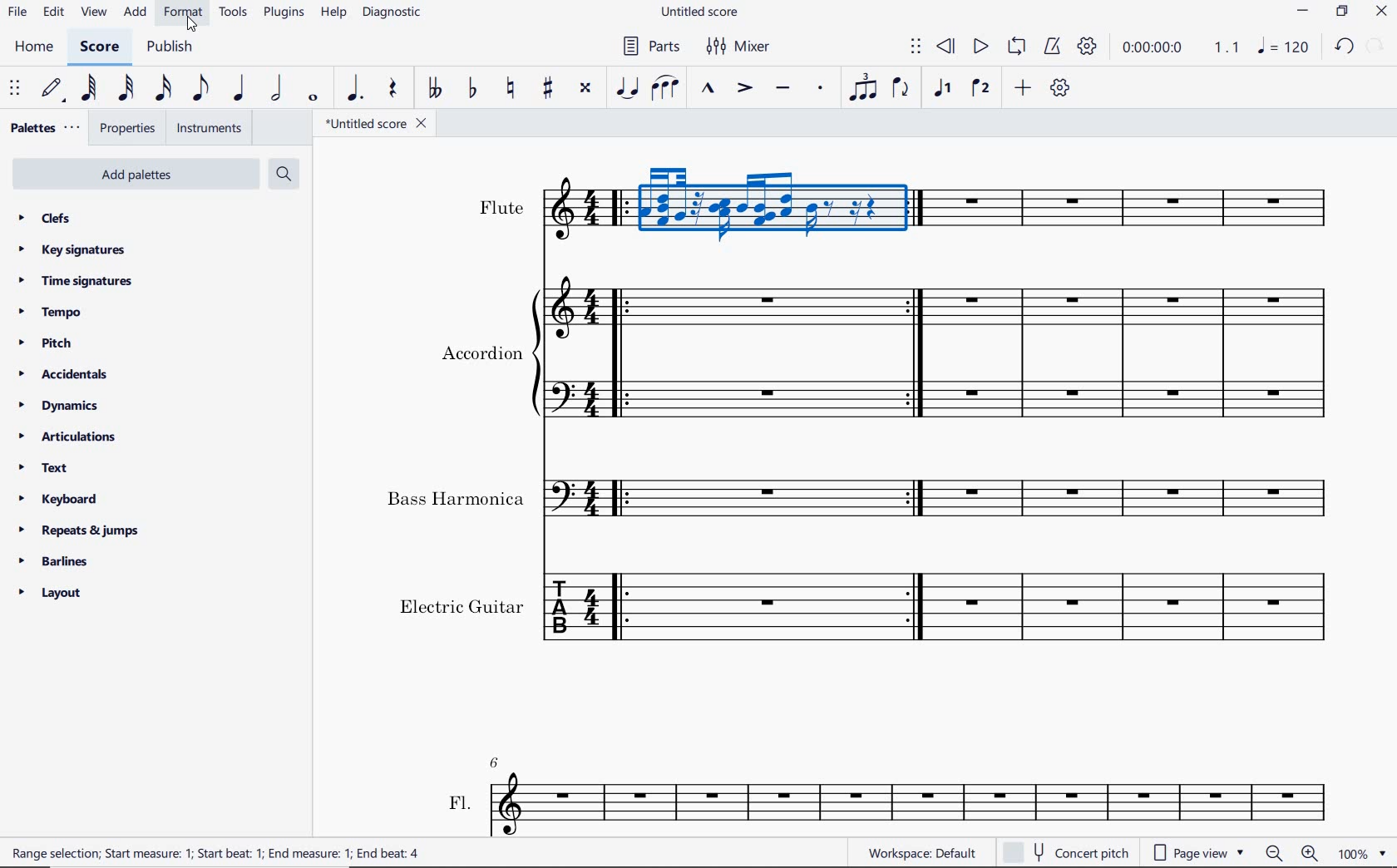  I want to click on ZOOM FACTOR, so click(1362, 852).